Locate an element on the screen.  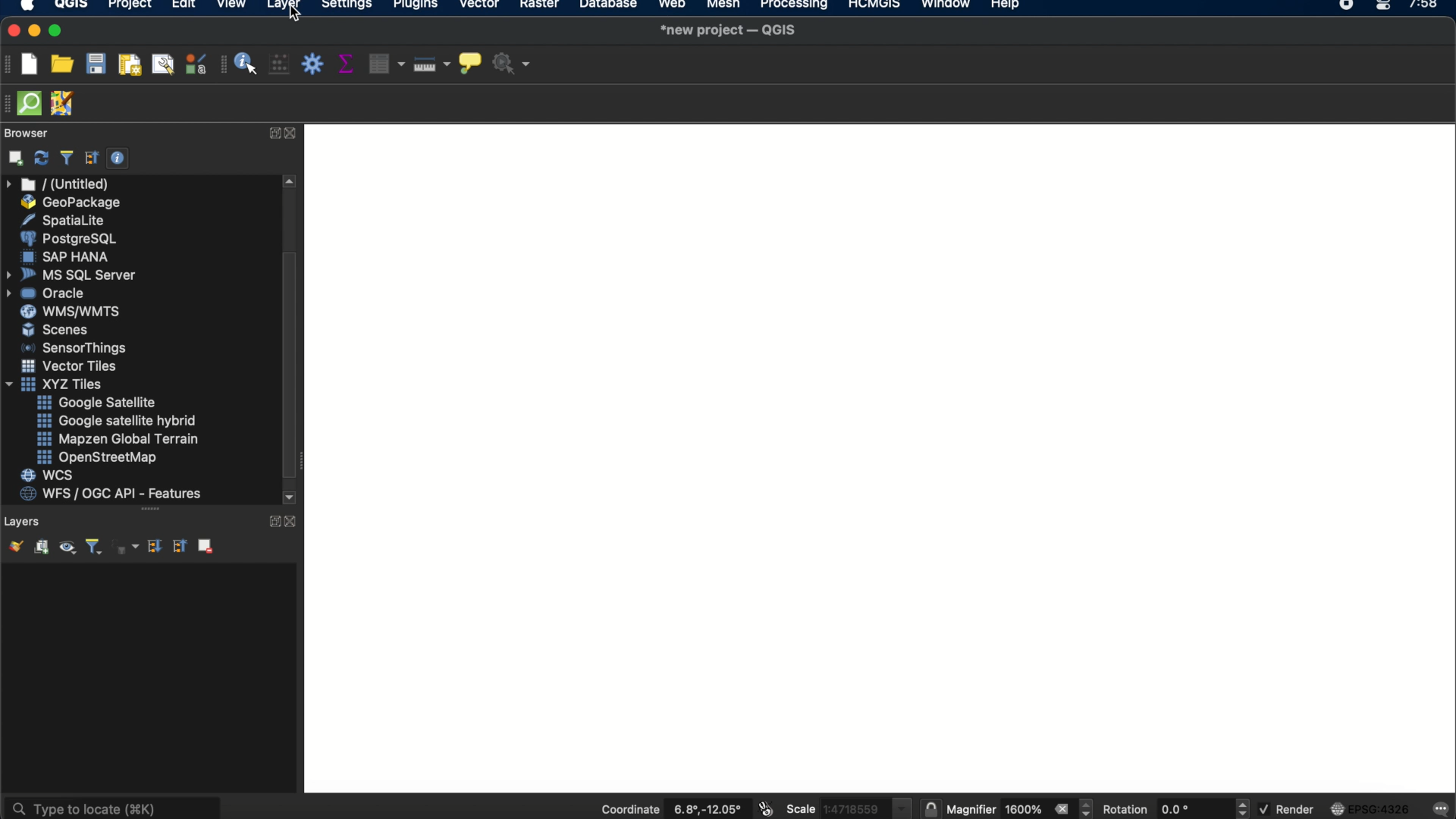
view is located at coordinates (231, 6).